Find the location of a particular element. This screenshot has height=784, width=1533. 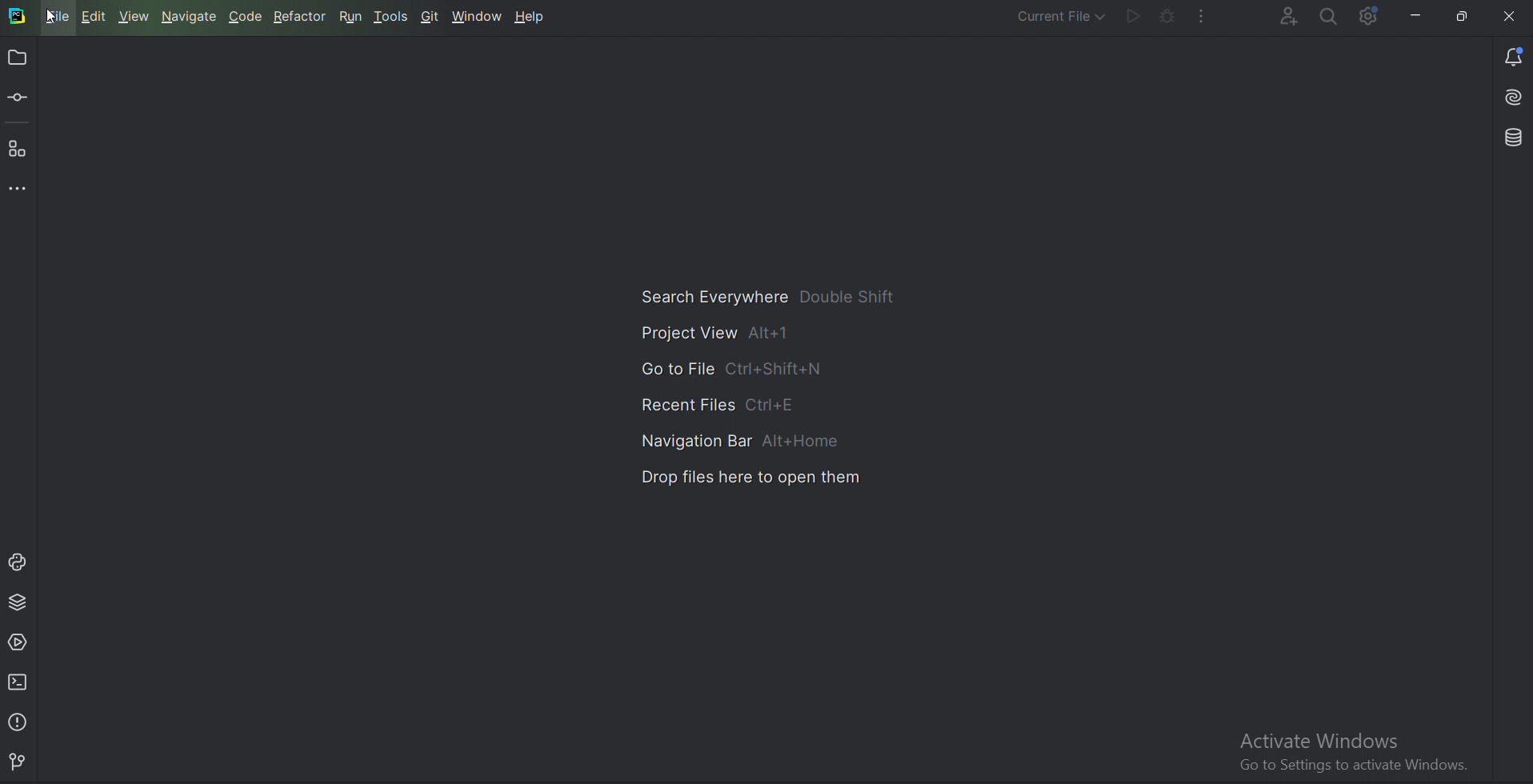

Terminal is located at coordinates (23, 682).